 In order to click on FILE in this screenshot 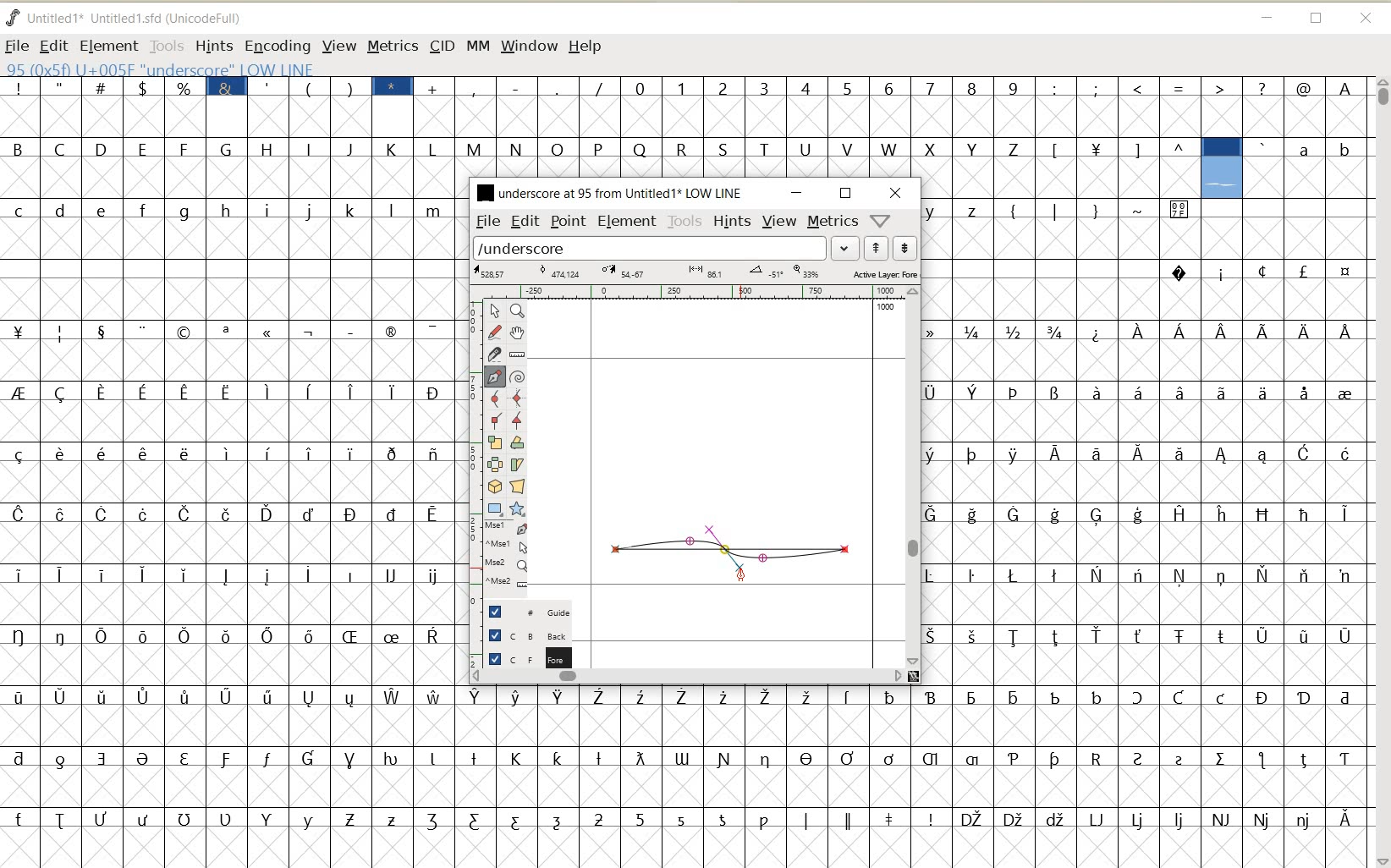, I will do `click(487, 222)`.